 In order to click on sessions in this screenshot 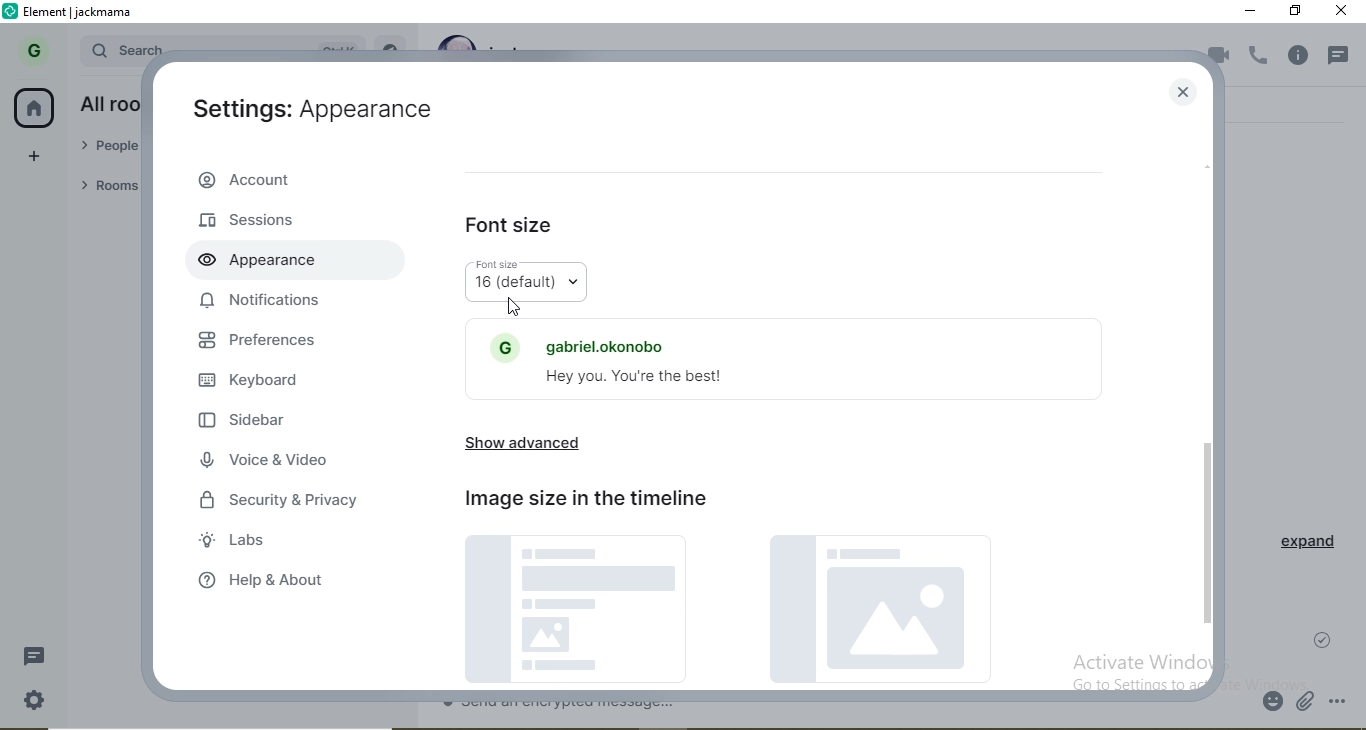, I will do `click(250, 219)`.